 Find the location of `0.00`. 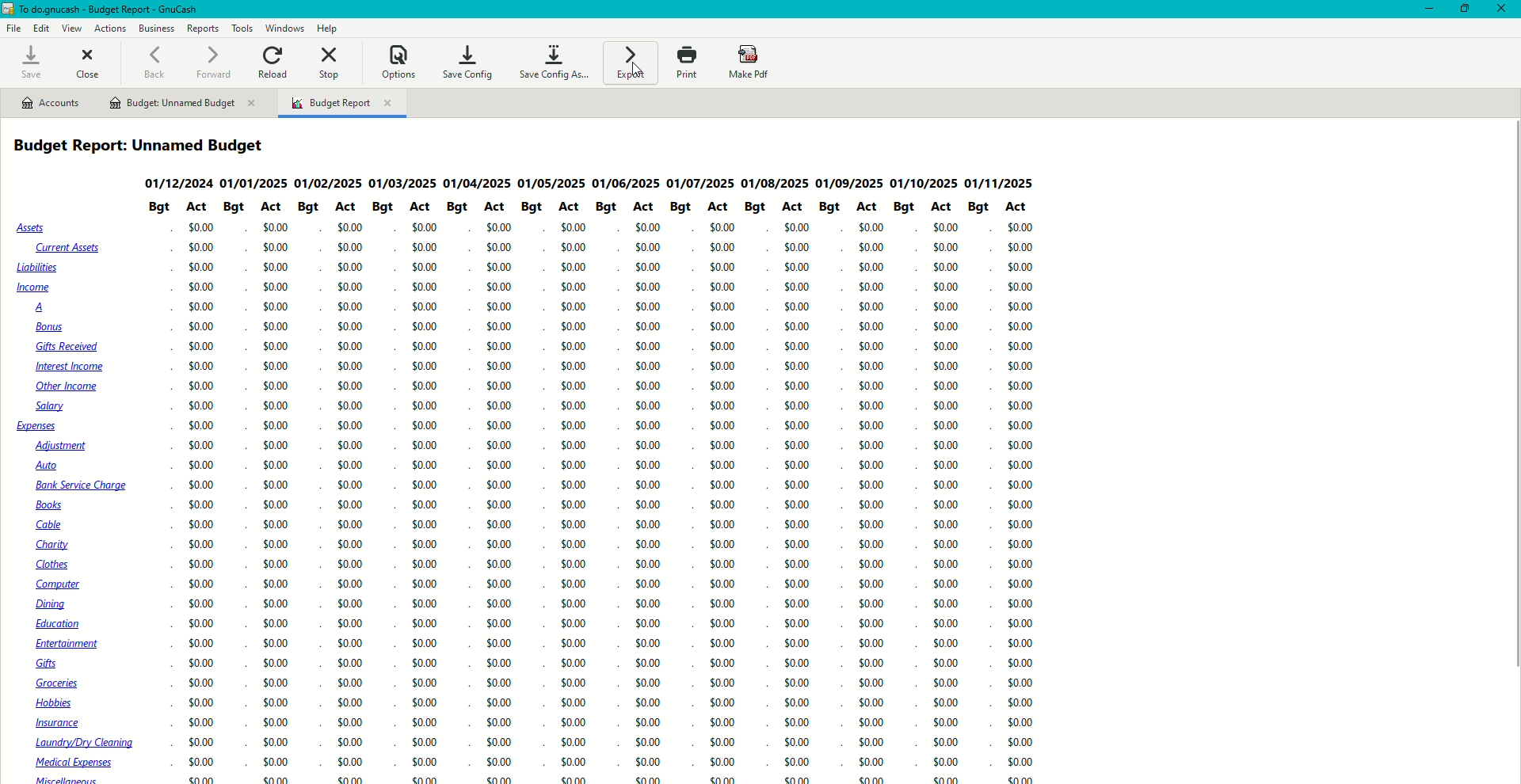

0.00 is located at coordinates (275, 346).